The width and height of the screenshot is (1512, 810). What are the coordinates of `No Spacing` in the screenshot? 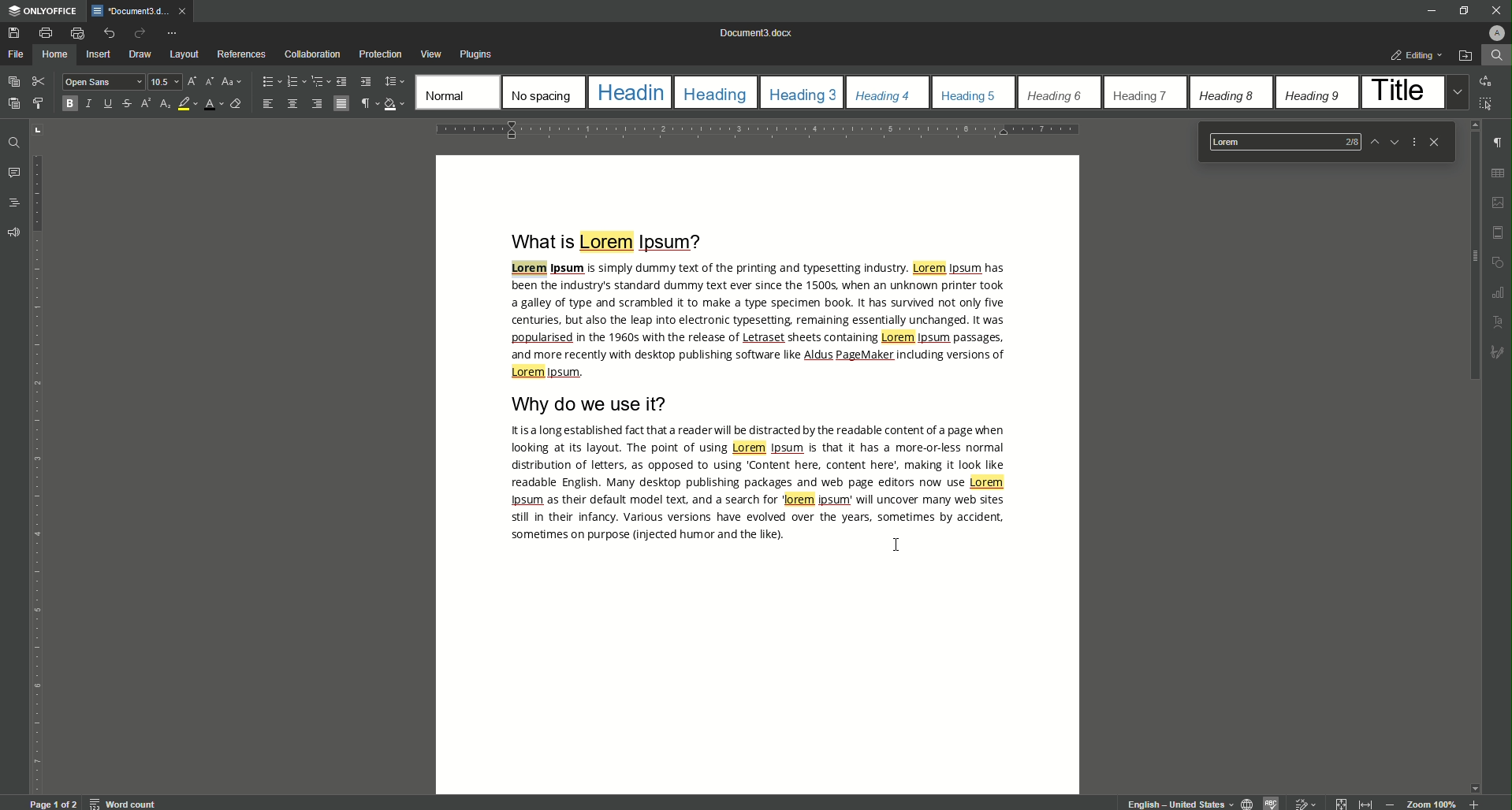 It's located at (543, 93).